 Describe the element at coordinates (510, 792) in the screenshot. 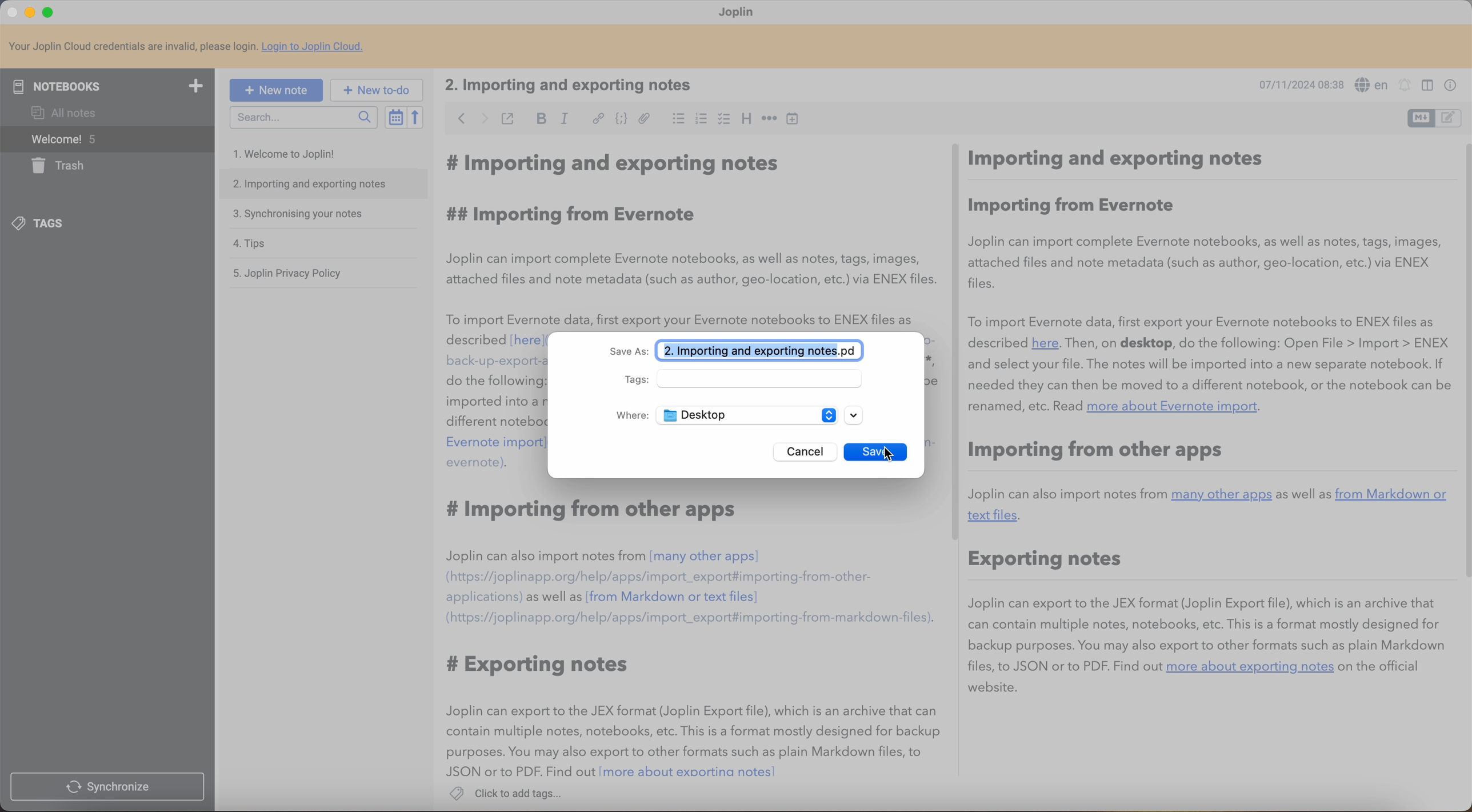

I see `click to add tags` at that location.